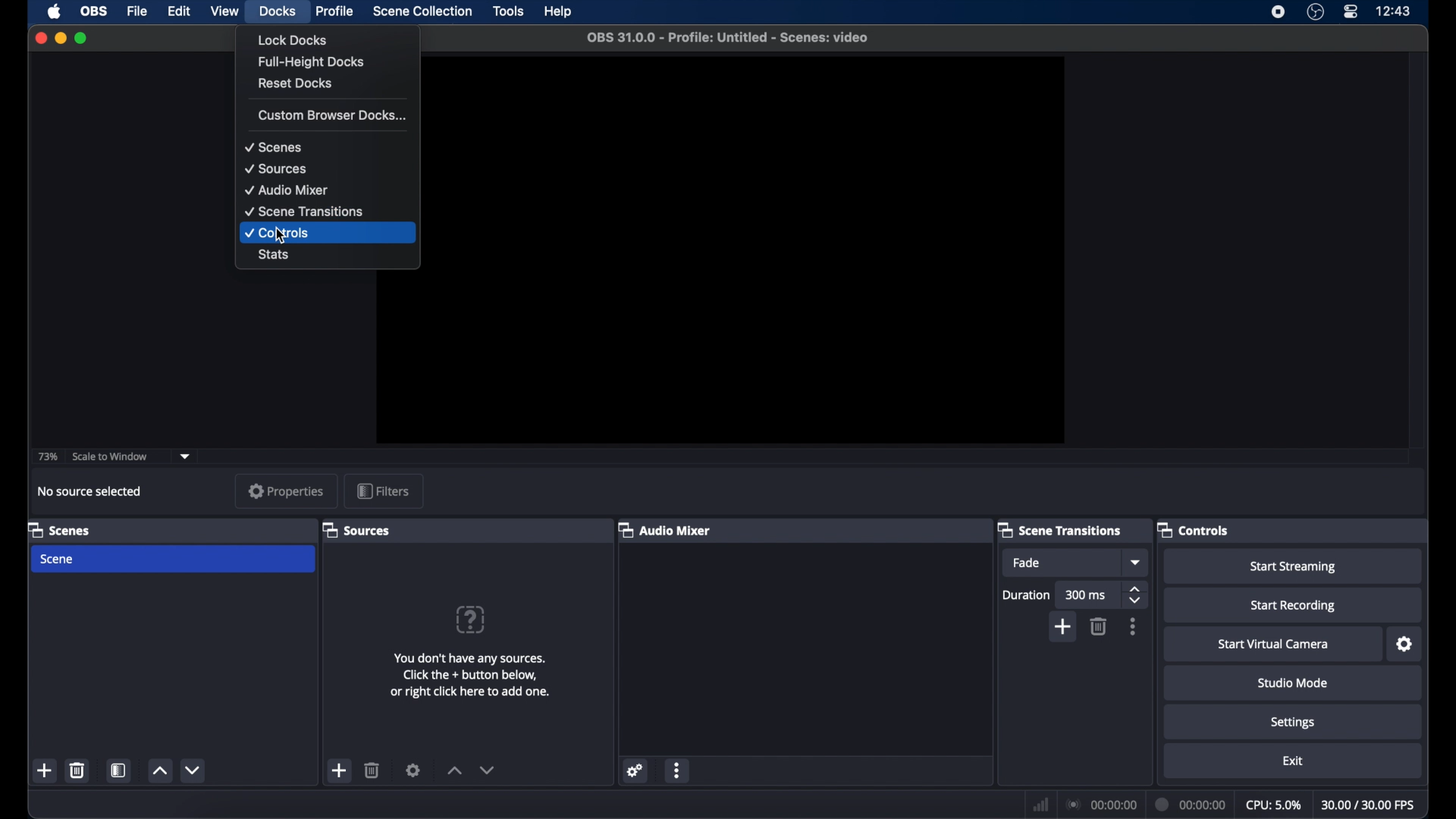  I want to click on properties, so click(286, 491).